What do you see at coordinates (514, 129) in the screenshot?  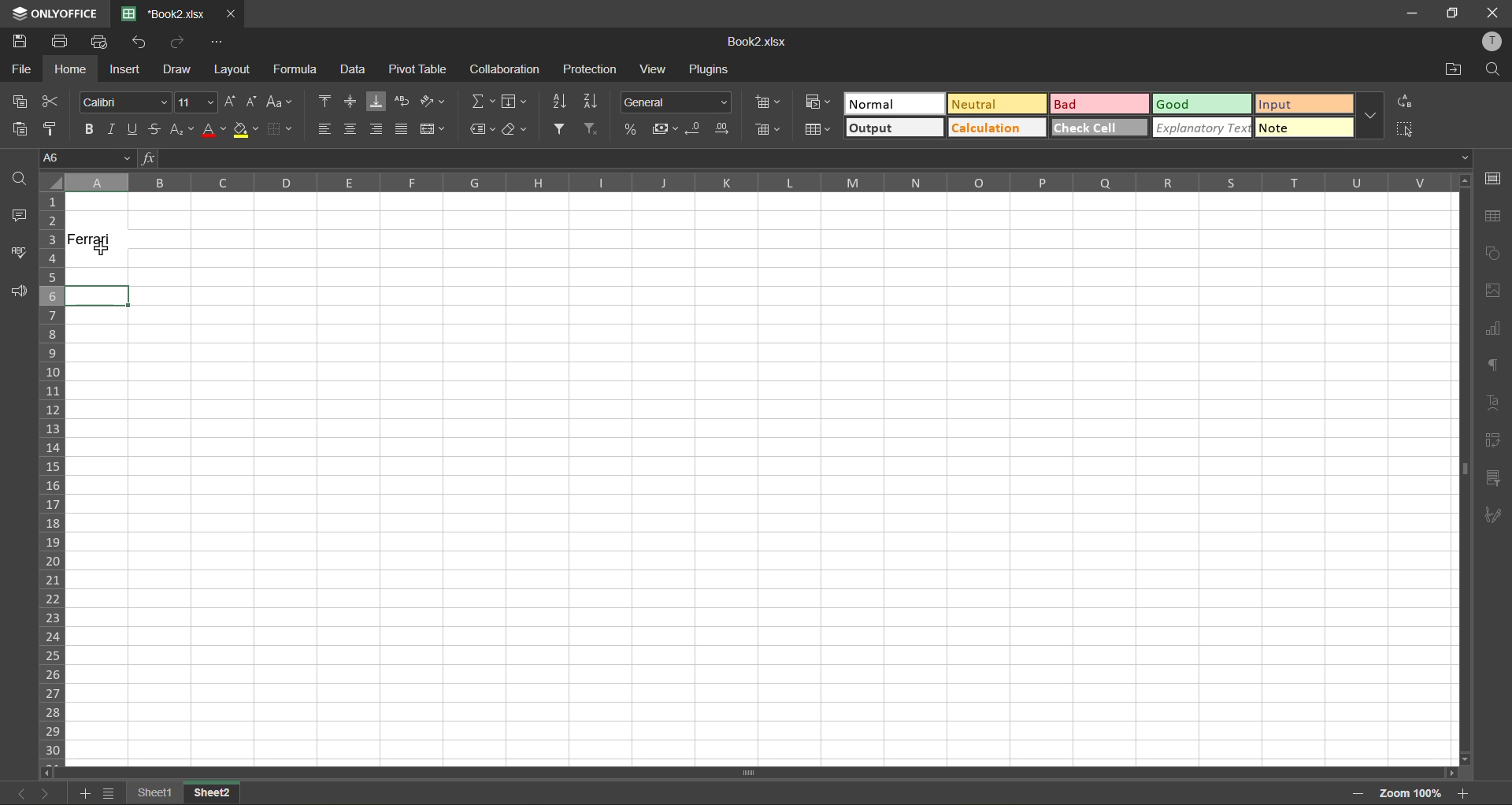 I see `clear` at bounding box center [514, 129].